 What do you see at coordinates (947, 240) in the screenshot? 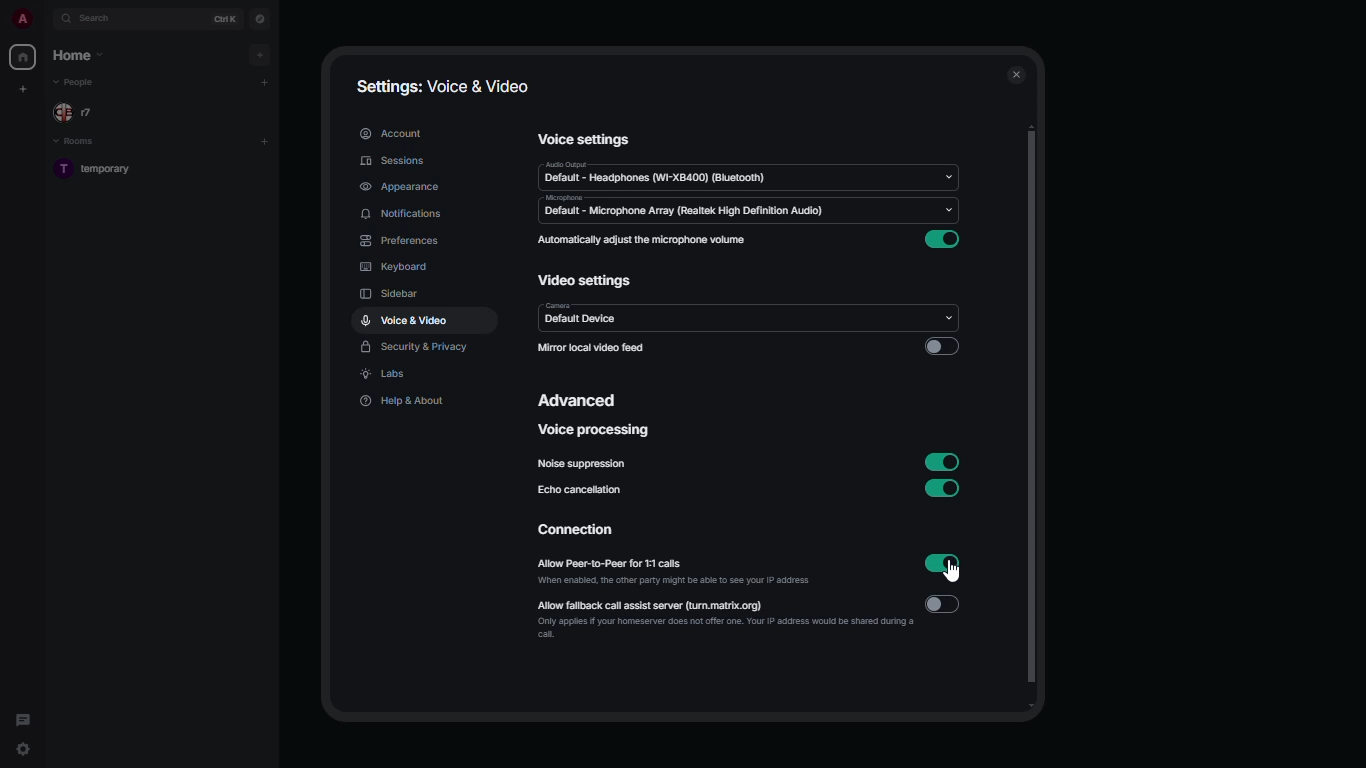
I see `enabled` at bounding box center [947, 240].